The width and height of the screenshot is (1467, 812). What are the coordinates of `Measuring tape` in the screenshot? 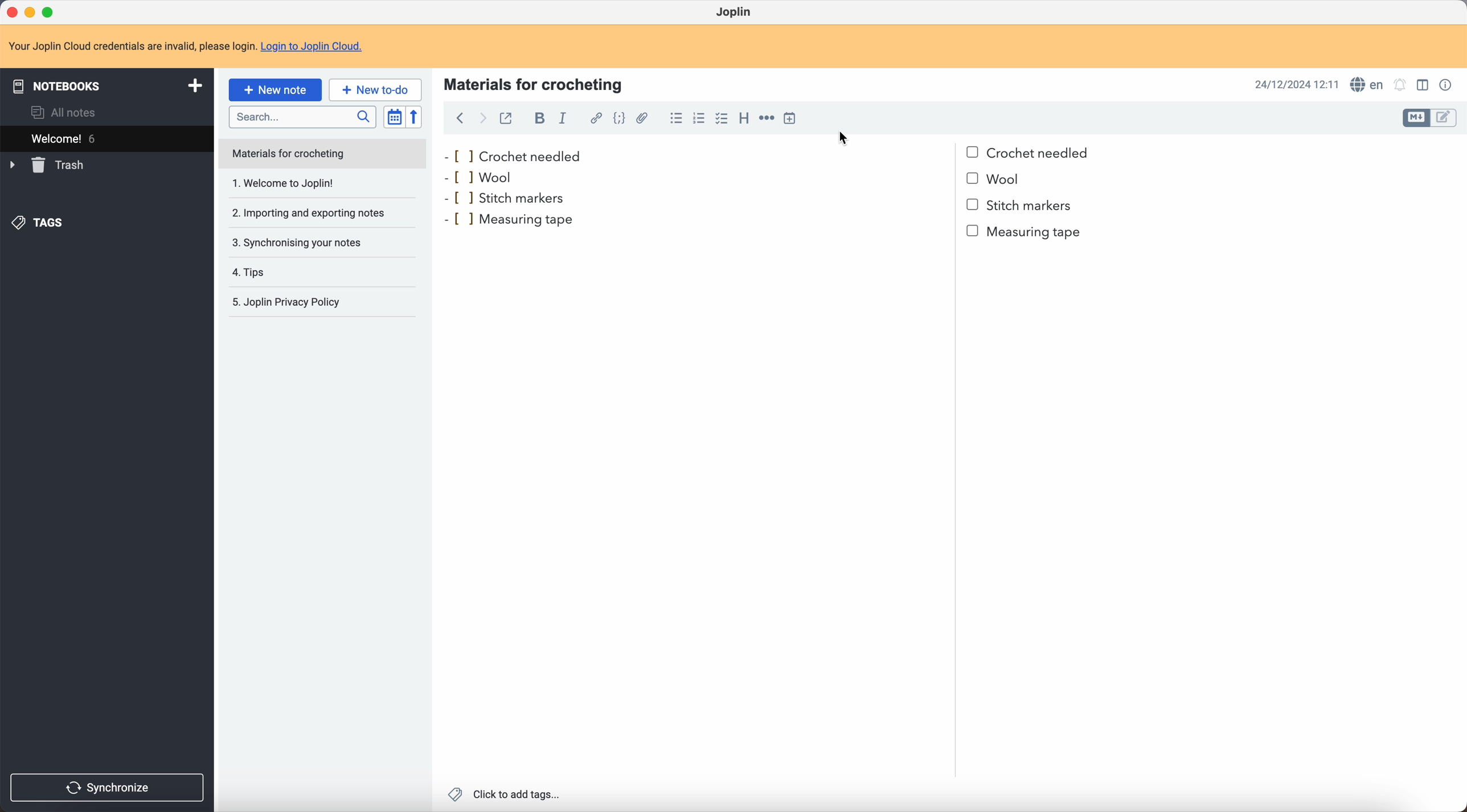 It's located at (788, 225).